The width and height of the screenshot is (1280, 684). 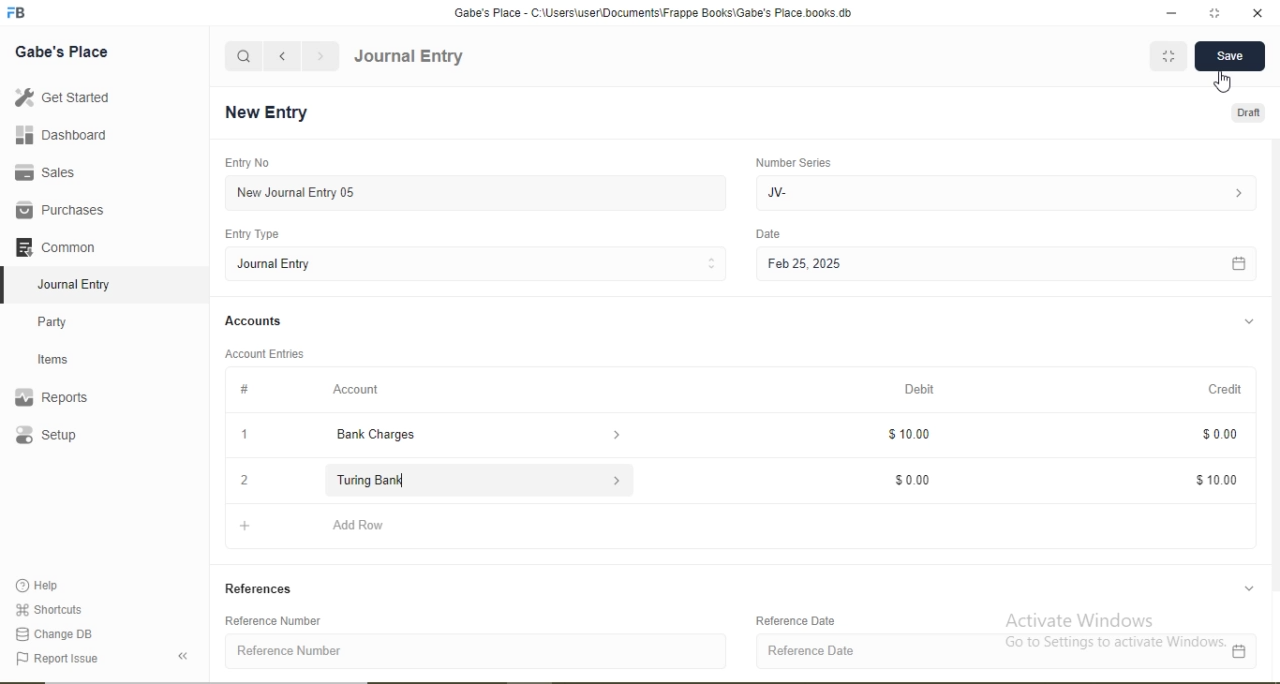 What do you see at coordinates (75, 437) in the screenshot?
I see `Setup` at bounding box center [75, 437].